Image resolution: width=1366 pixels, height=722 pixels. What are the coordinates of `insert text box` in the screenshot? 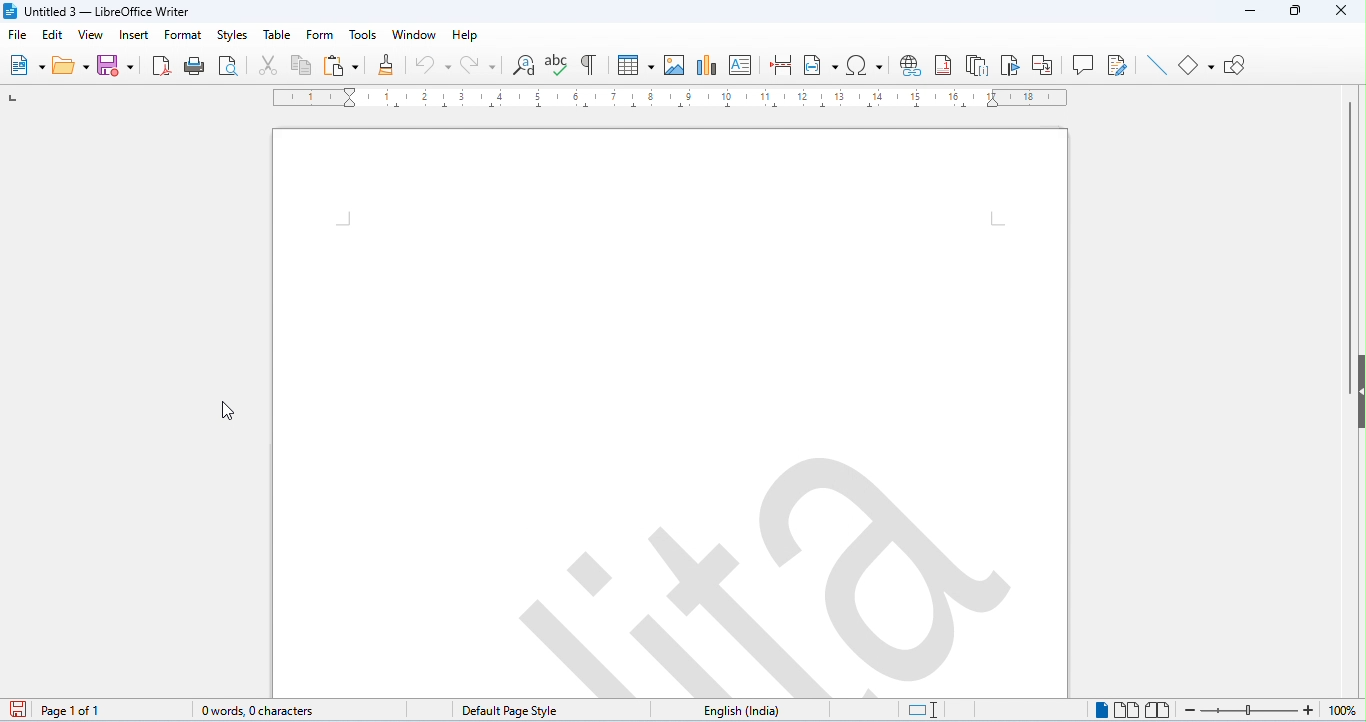 It's located at (743, 63).